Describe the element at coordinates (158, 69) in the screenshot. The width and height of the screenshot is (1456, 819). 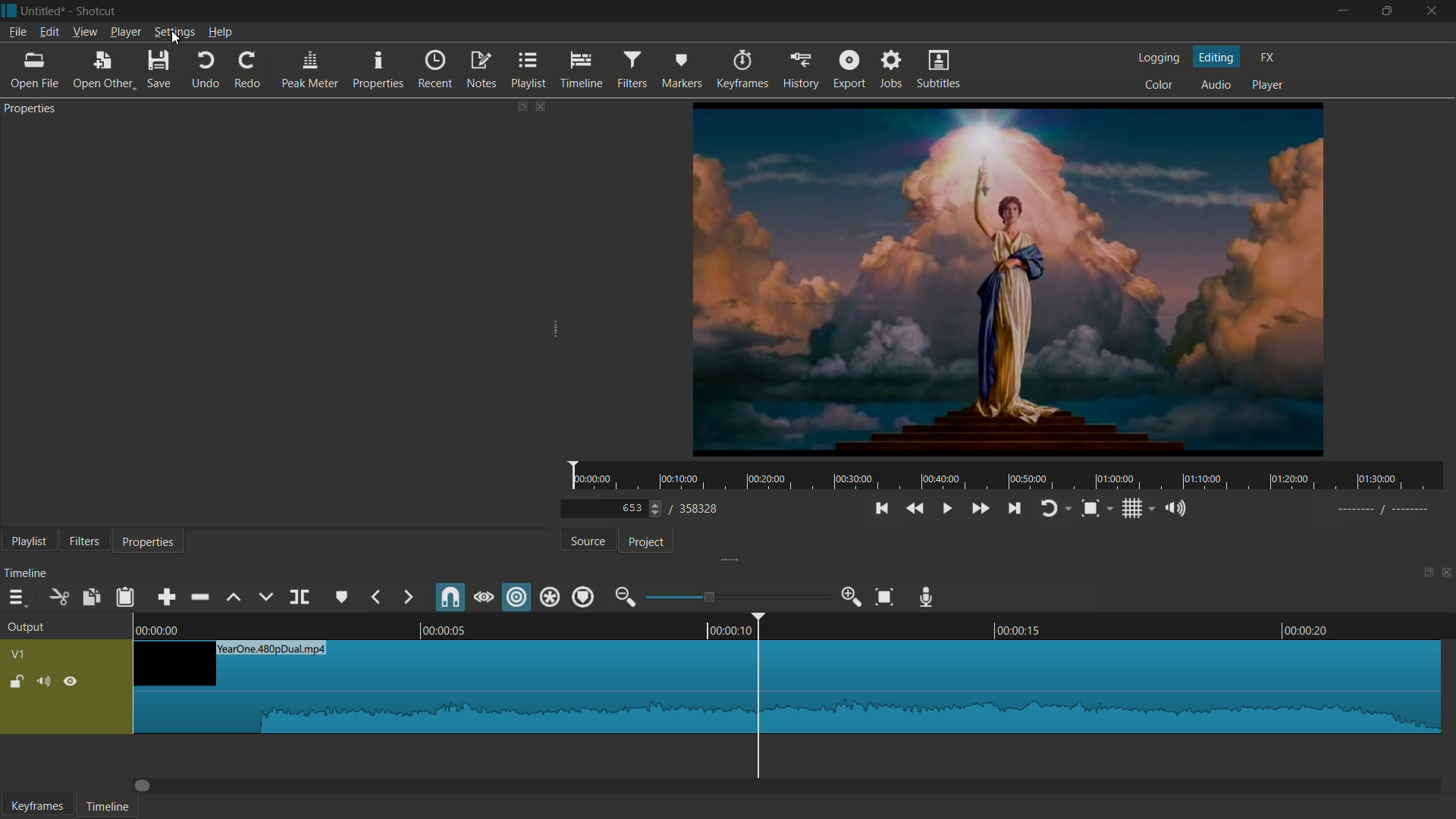
I see `save` at that location.